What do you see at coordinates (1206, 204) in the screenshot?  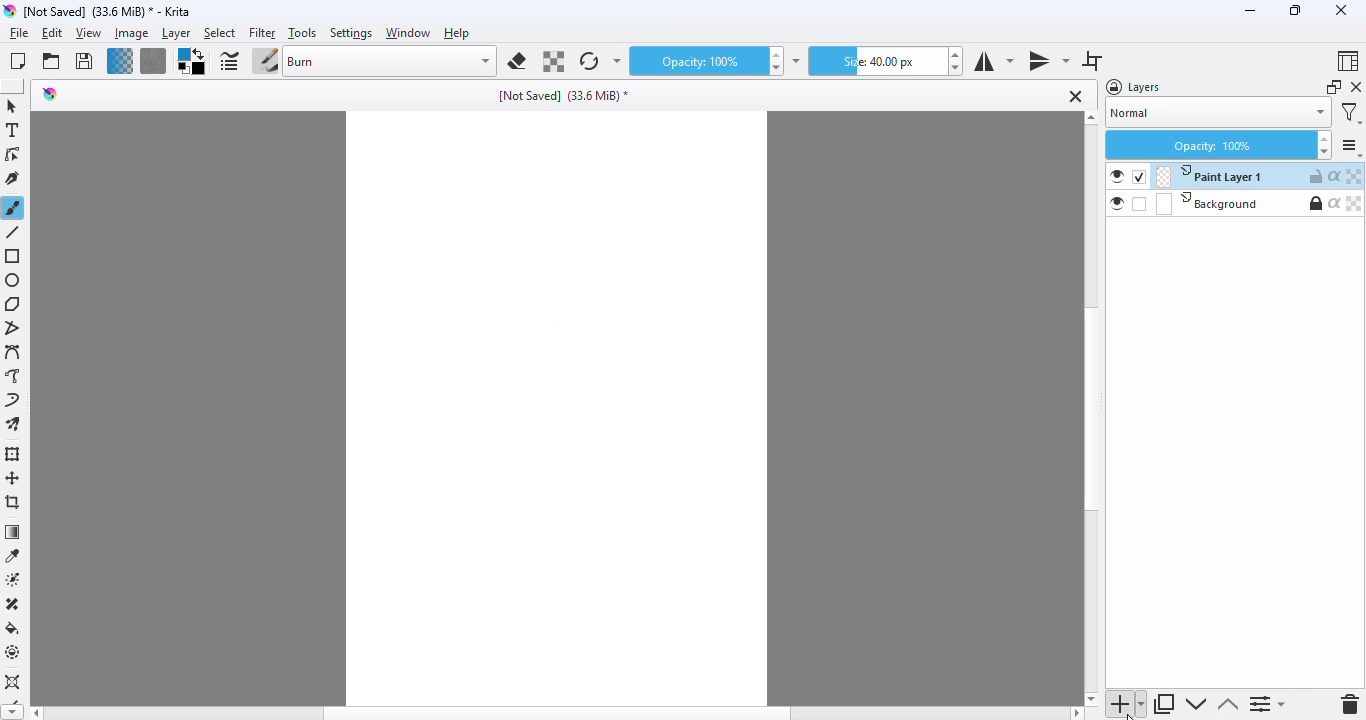 I see `background` at bounding box center [1206, 204].